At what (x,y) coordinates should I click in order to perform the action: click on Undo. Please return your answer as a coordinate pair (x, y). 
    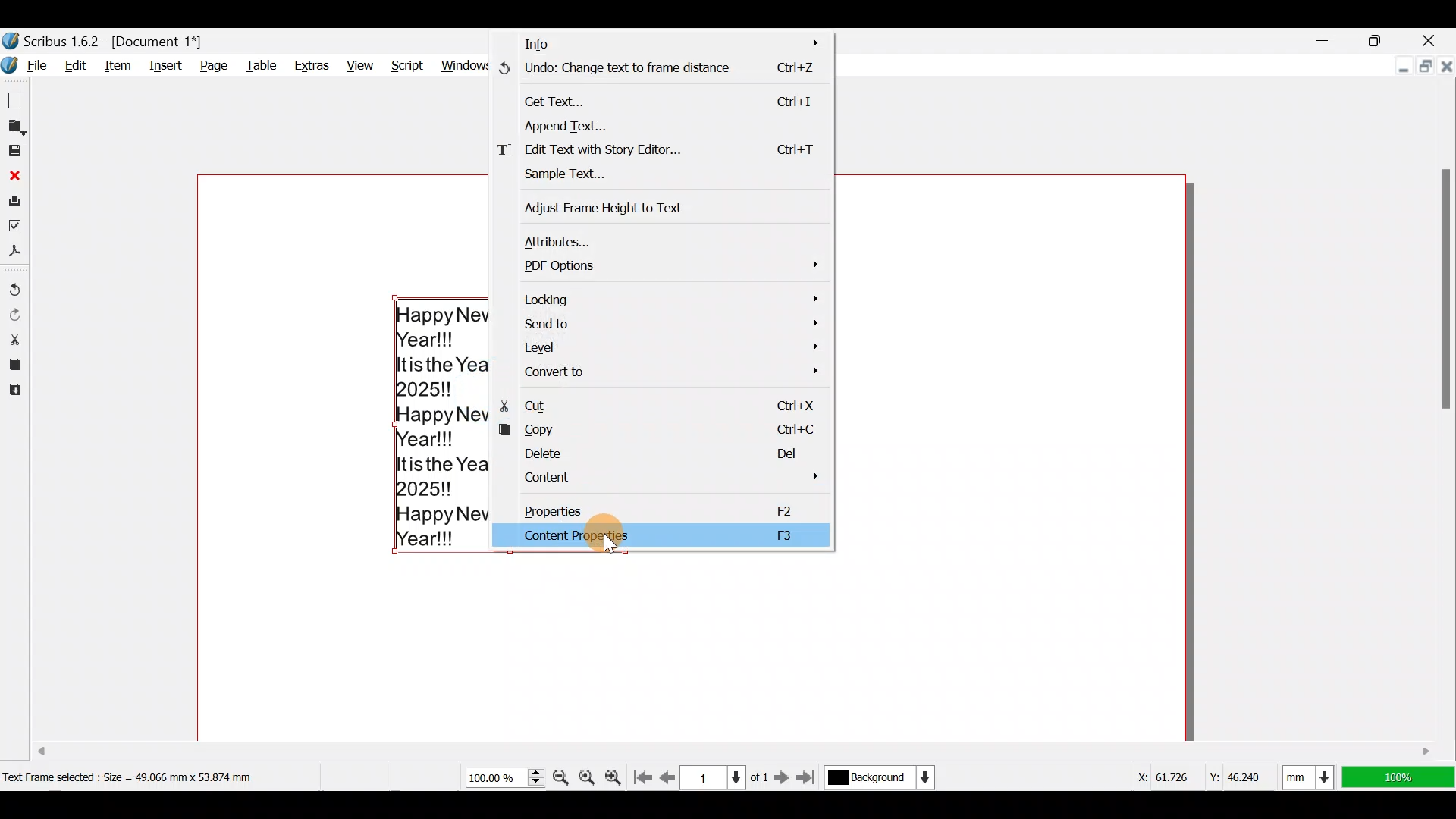
    Looking at the image, I should click on (15, 284).